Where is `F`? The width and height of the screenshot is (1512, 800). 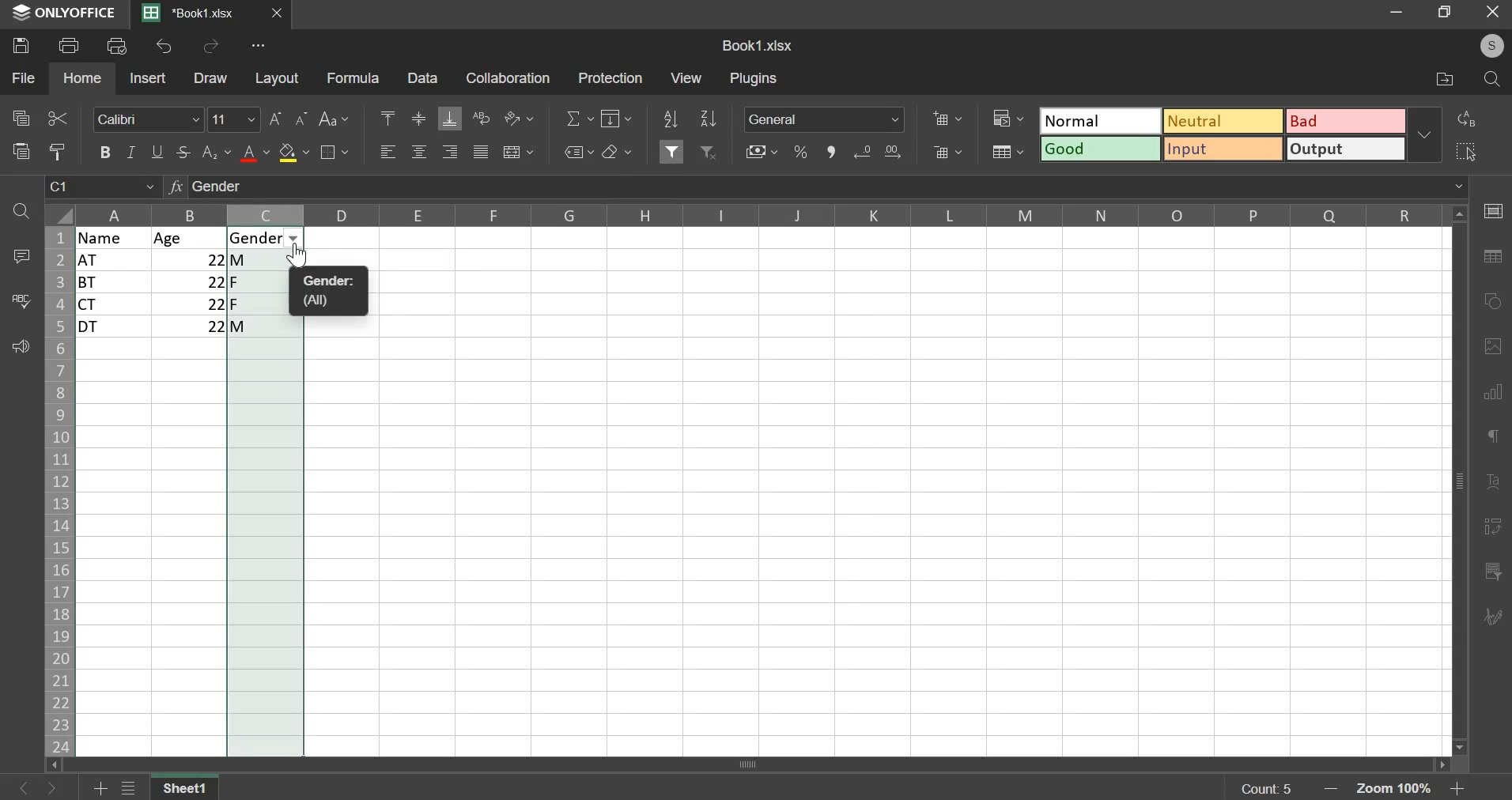
F is located at coordinates (266, 281).